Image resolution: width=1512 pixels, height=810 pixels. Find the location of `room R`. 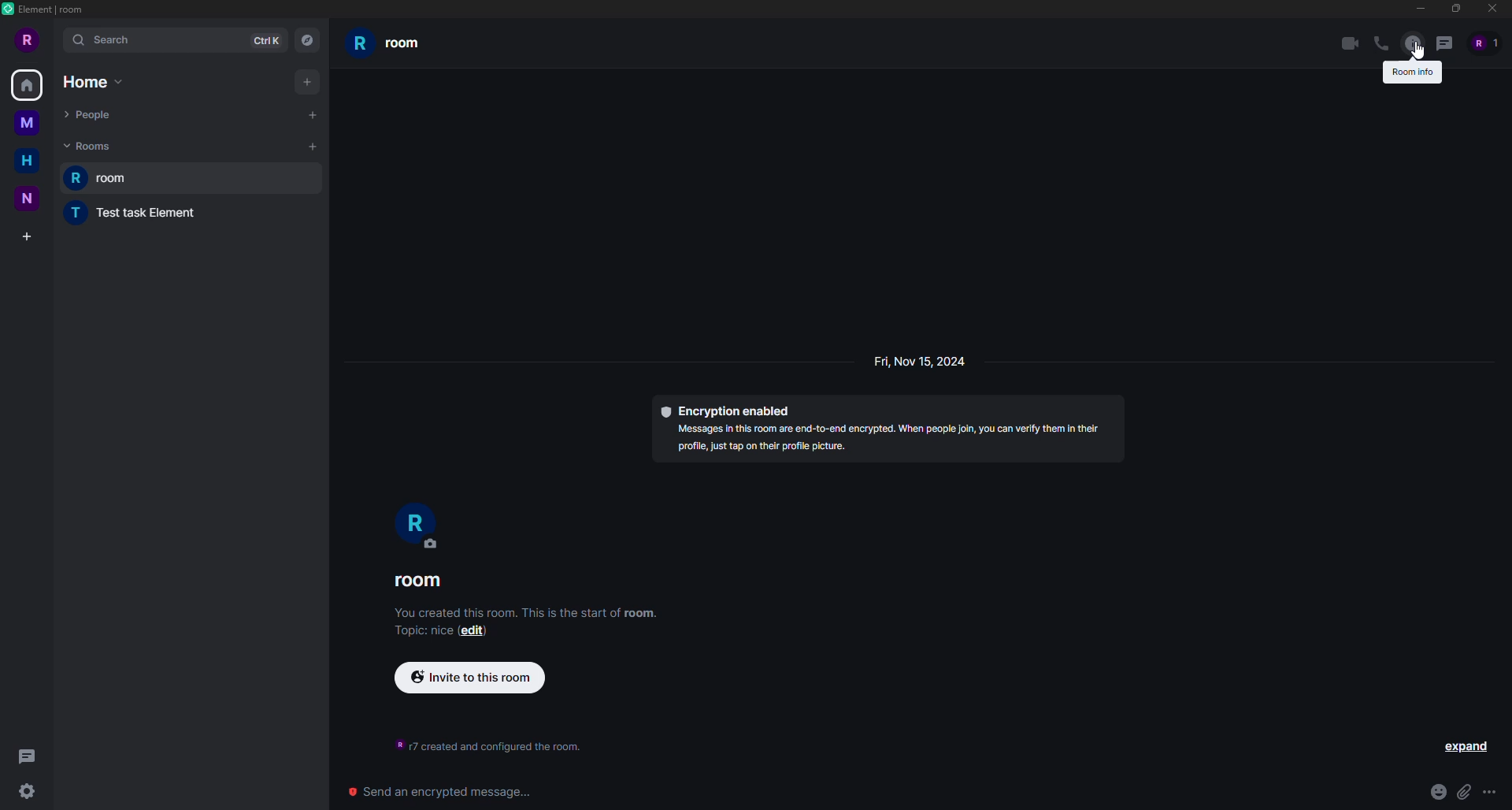

room R is located at coordinates (391, 45).